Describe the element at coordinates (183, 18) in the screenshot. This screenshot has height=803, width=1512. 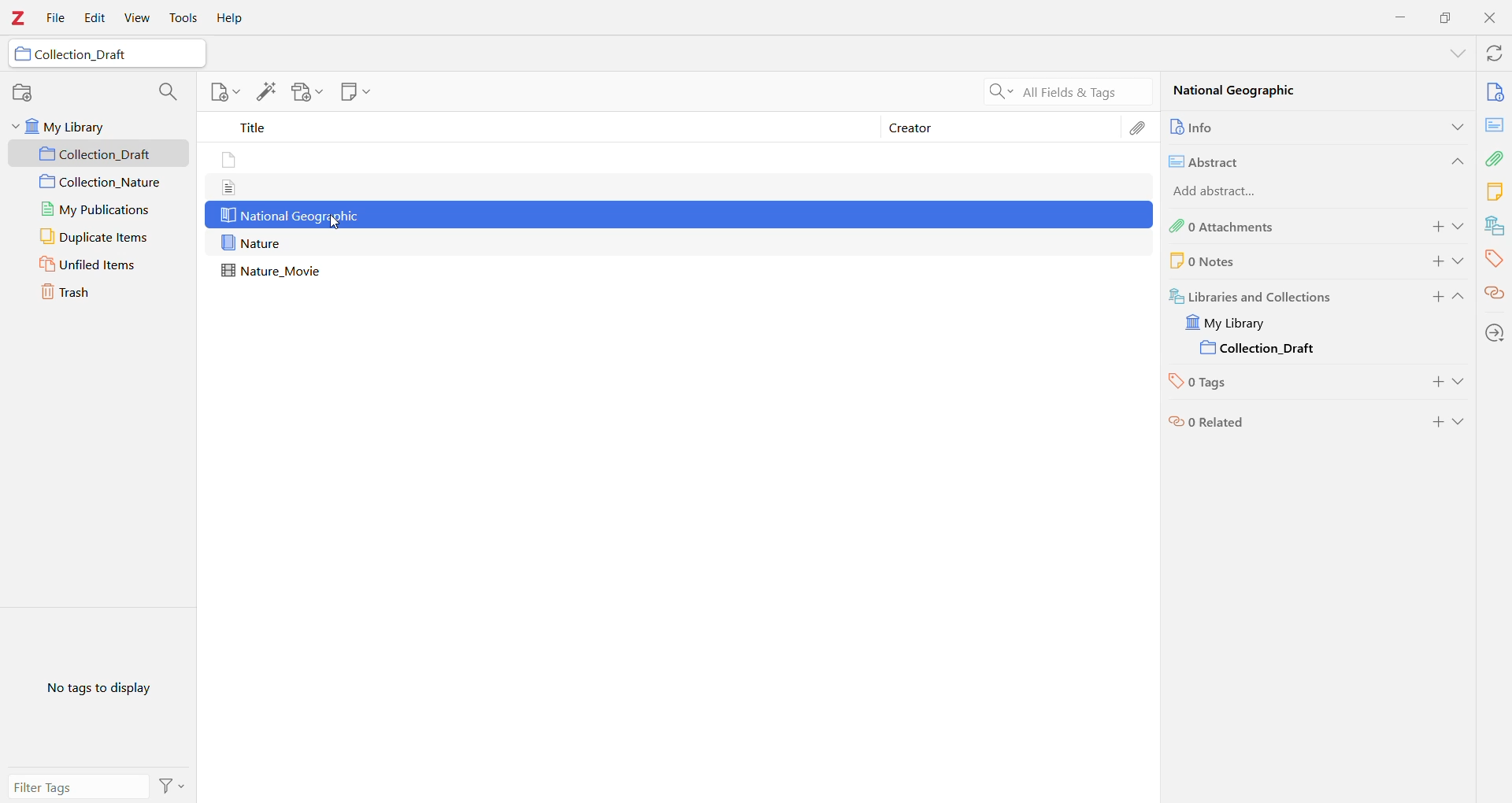
I see `Tools` at that location.